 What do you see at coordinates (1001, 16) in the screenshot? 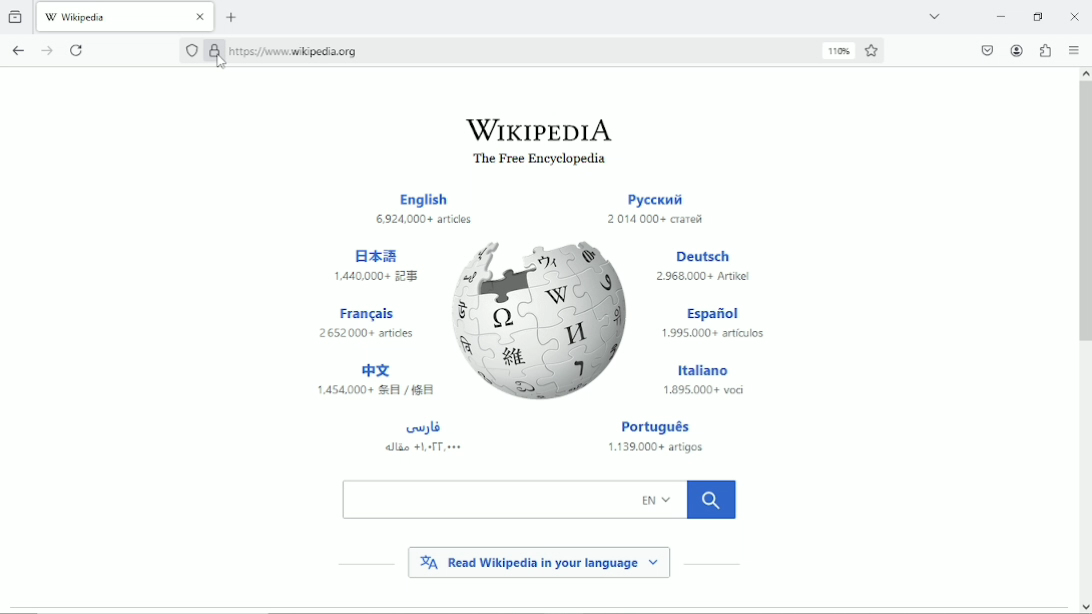
I see `minimize` at bounding box center [1001, 16].